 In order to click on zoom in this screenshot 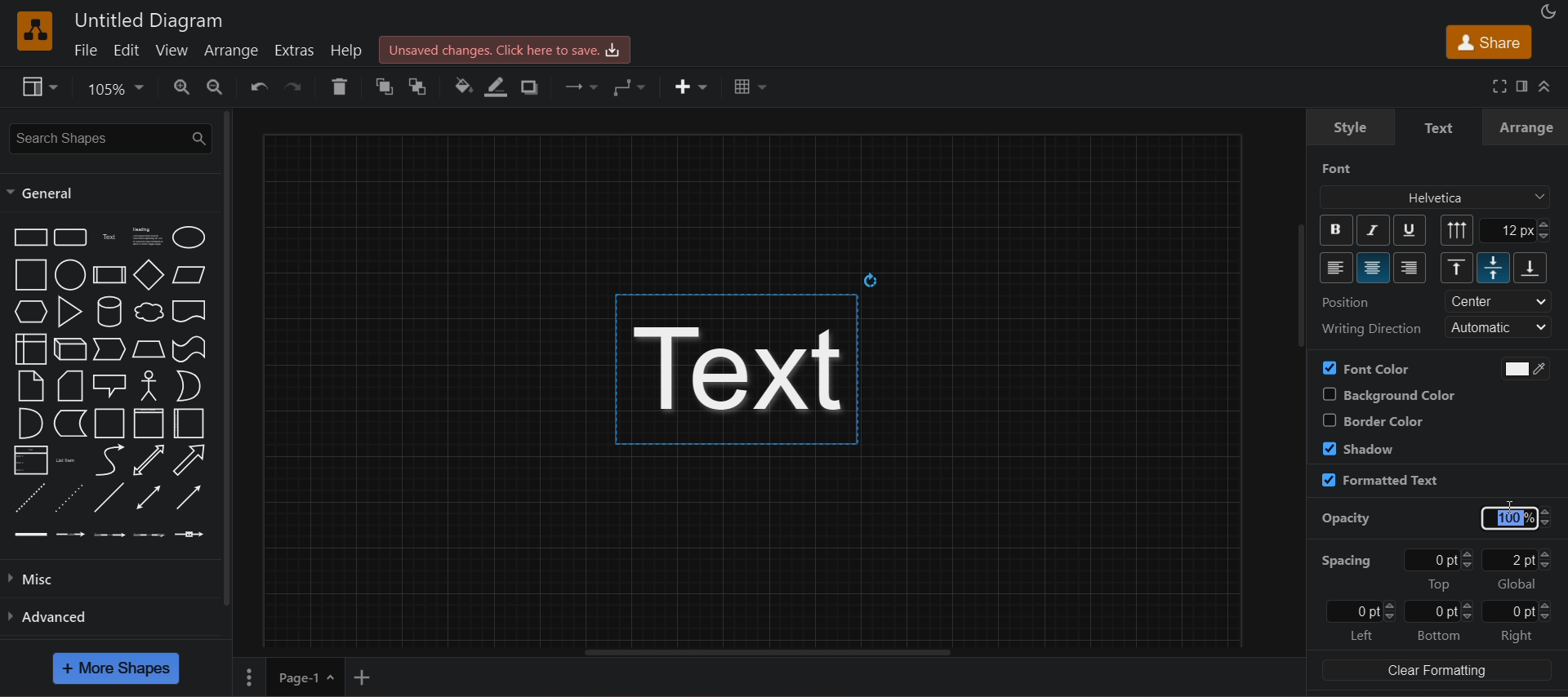, I will do `click(119, 89)`.